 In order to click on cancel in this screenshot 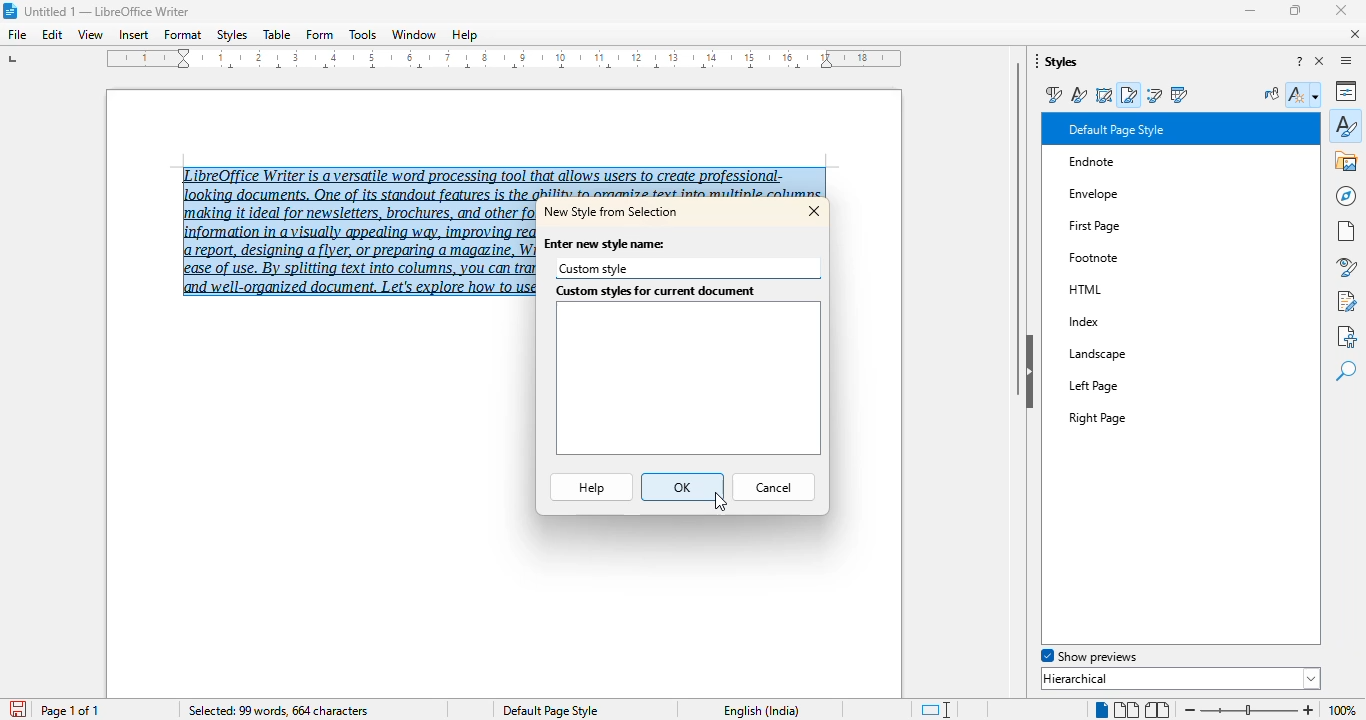, I will do `click(774, 488)`.